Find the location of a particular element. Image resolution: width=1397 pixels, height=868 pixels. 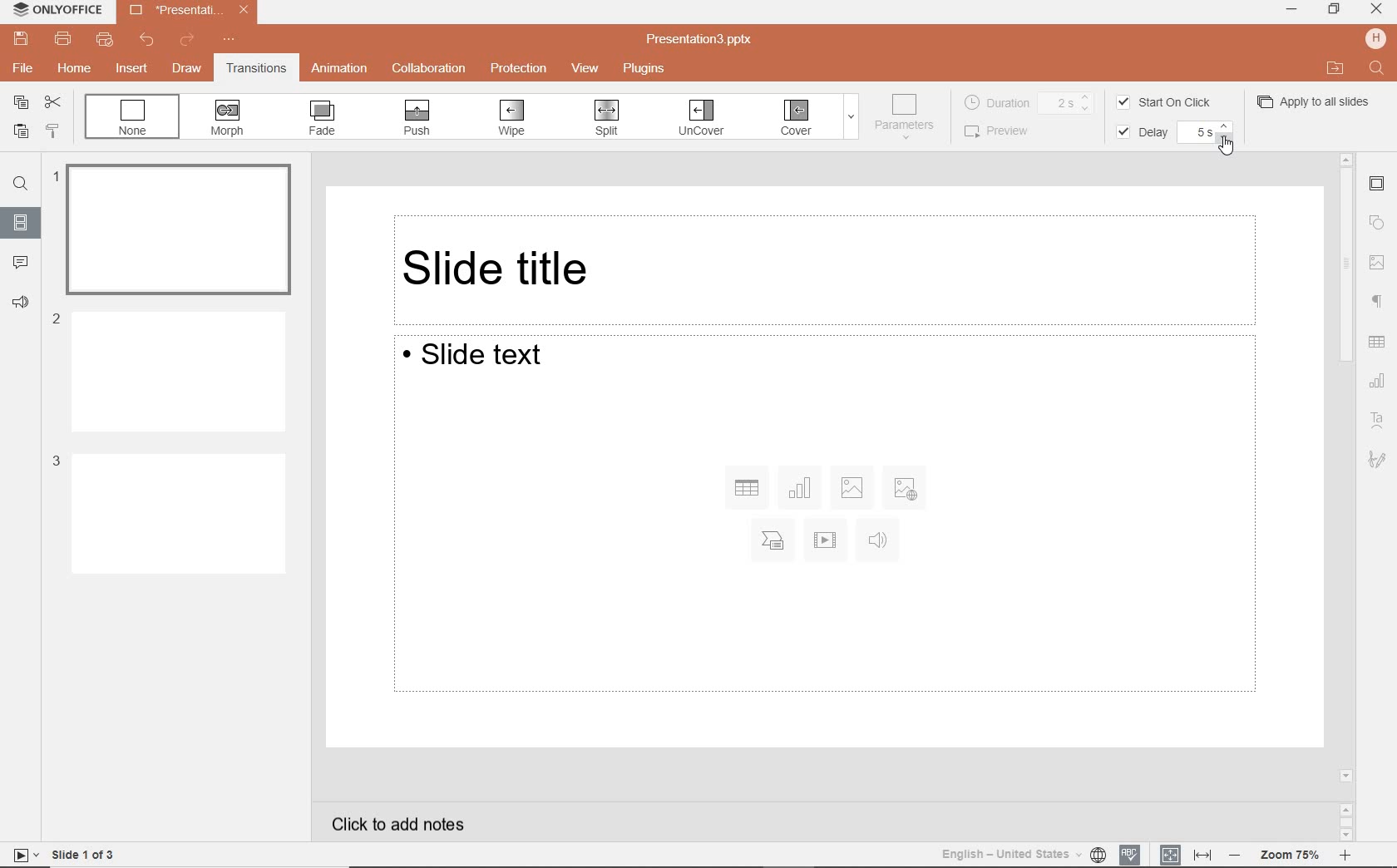

customize quick access toolbar is located at coordinates (230, 42).